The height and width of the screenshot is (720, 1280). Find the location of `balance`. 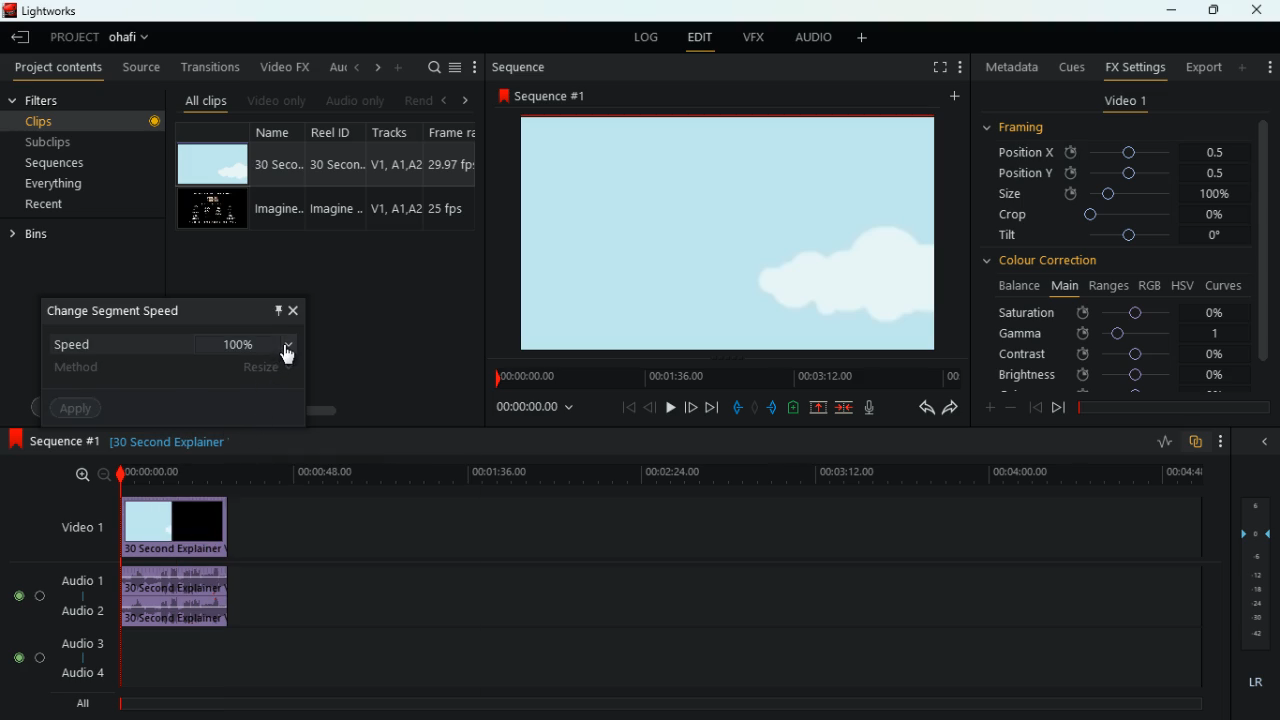

balance is located at coordinates (1016, 286).